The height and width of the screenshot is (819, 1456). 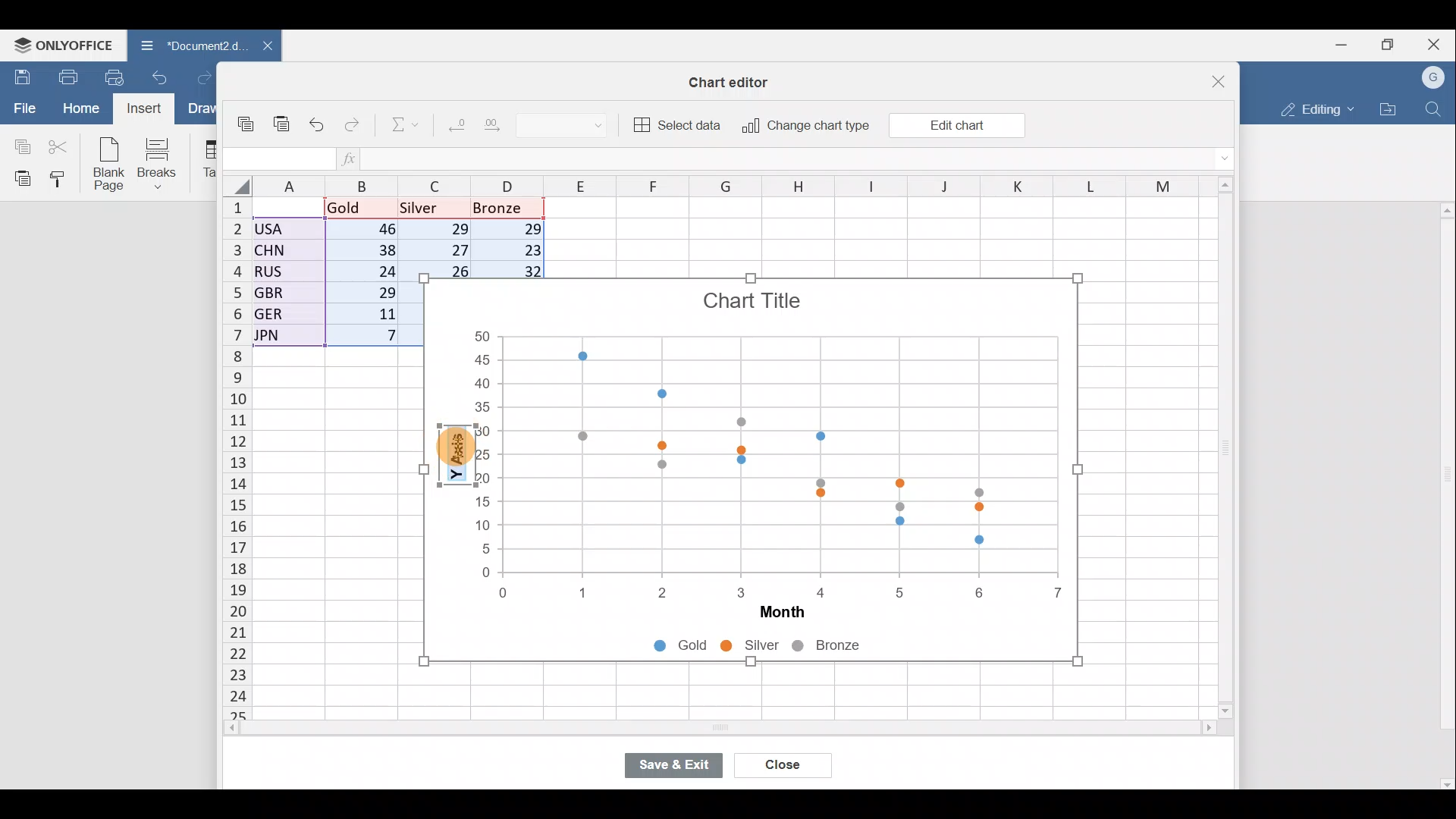 What do you see at coordinates (783, 763) in the screenshot?
I see `Close` at bounding box center [783, 763].